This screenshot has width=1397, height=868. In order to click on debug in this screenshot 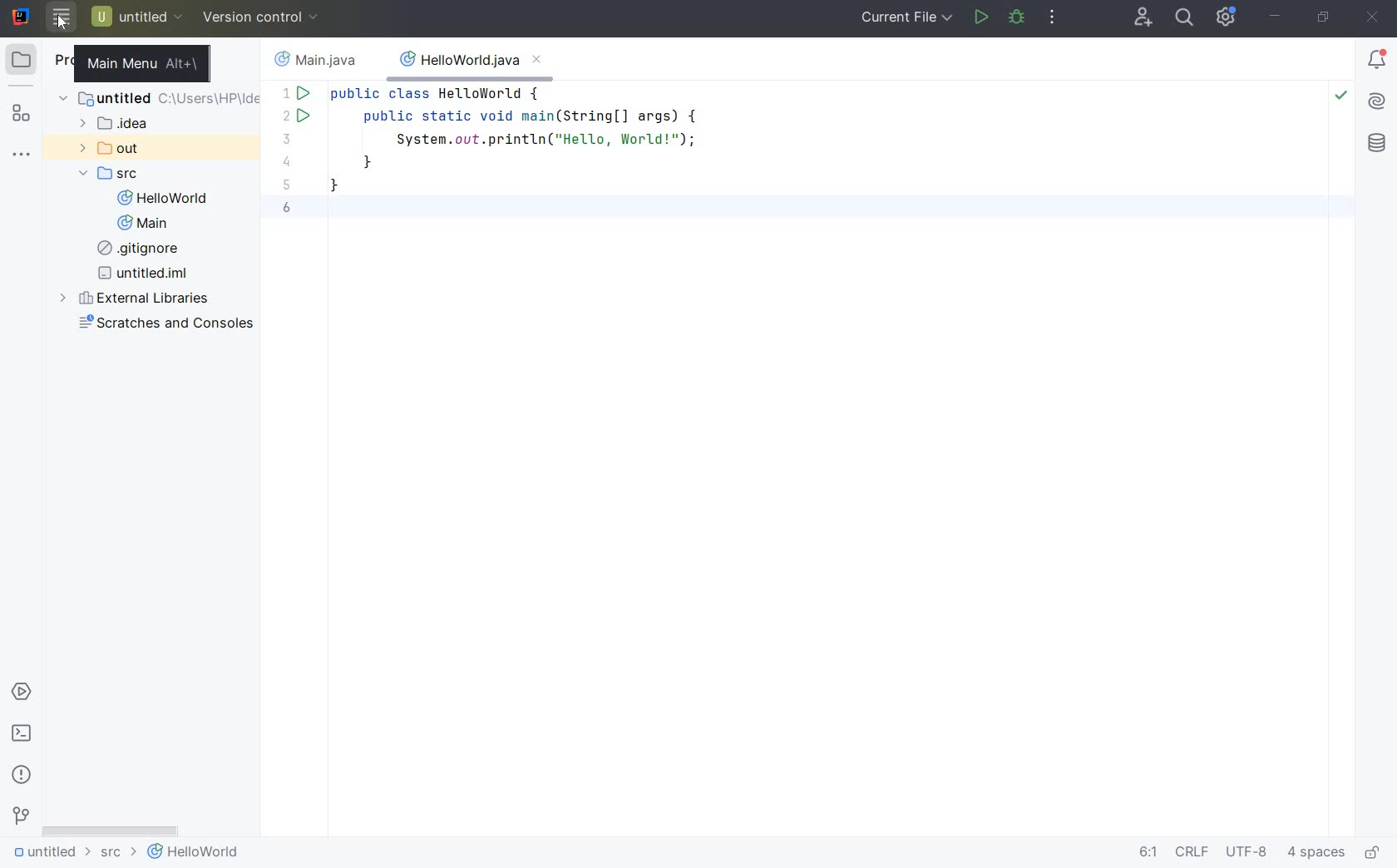, I will do `click(1017, 17)`.